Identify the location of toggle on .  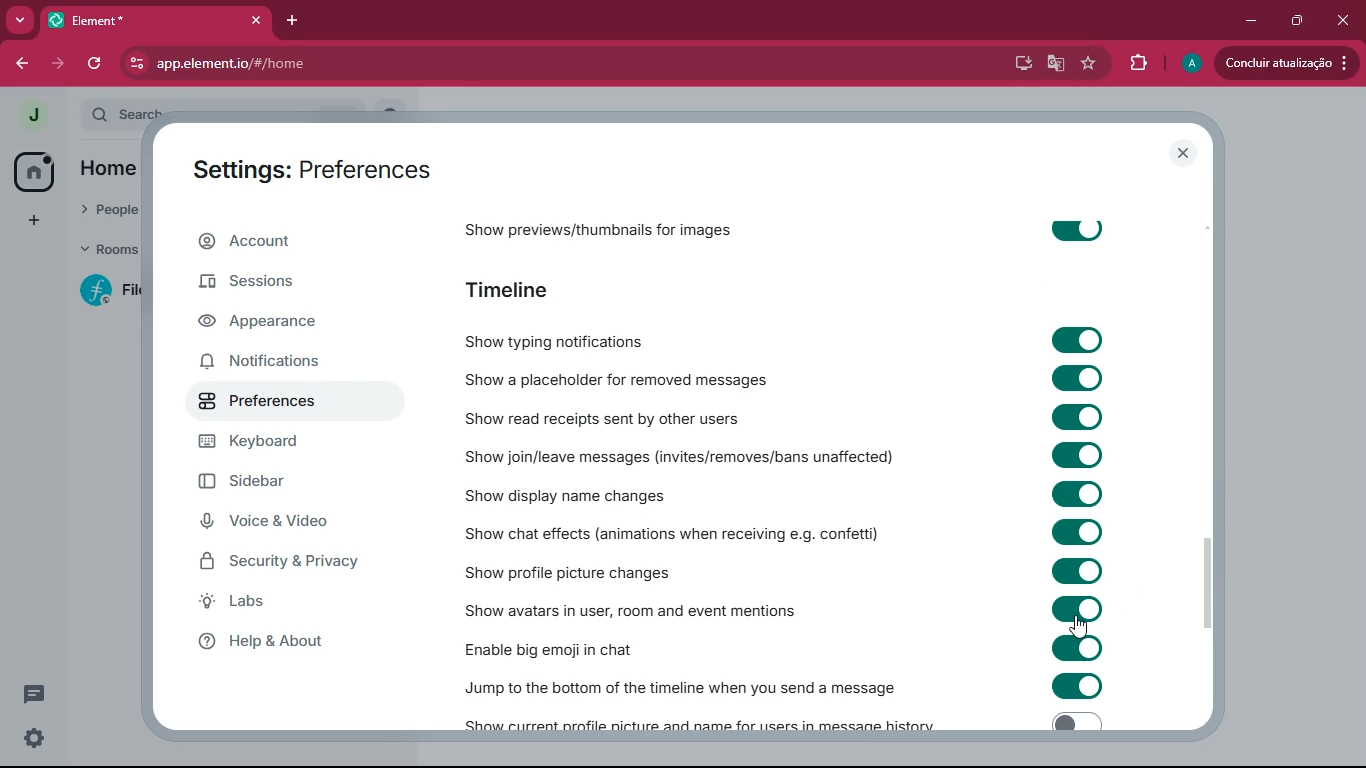
(1076, 493).